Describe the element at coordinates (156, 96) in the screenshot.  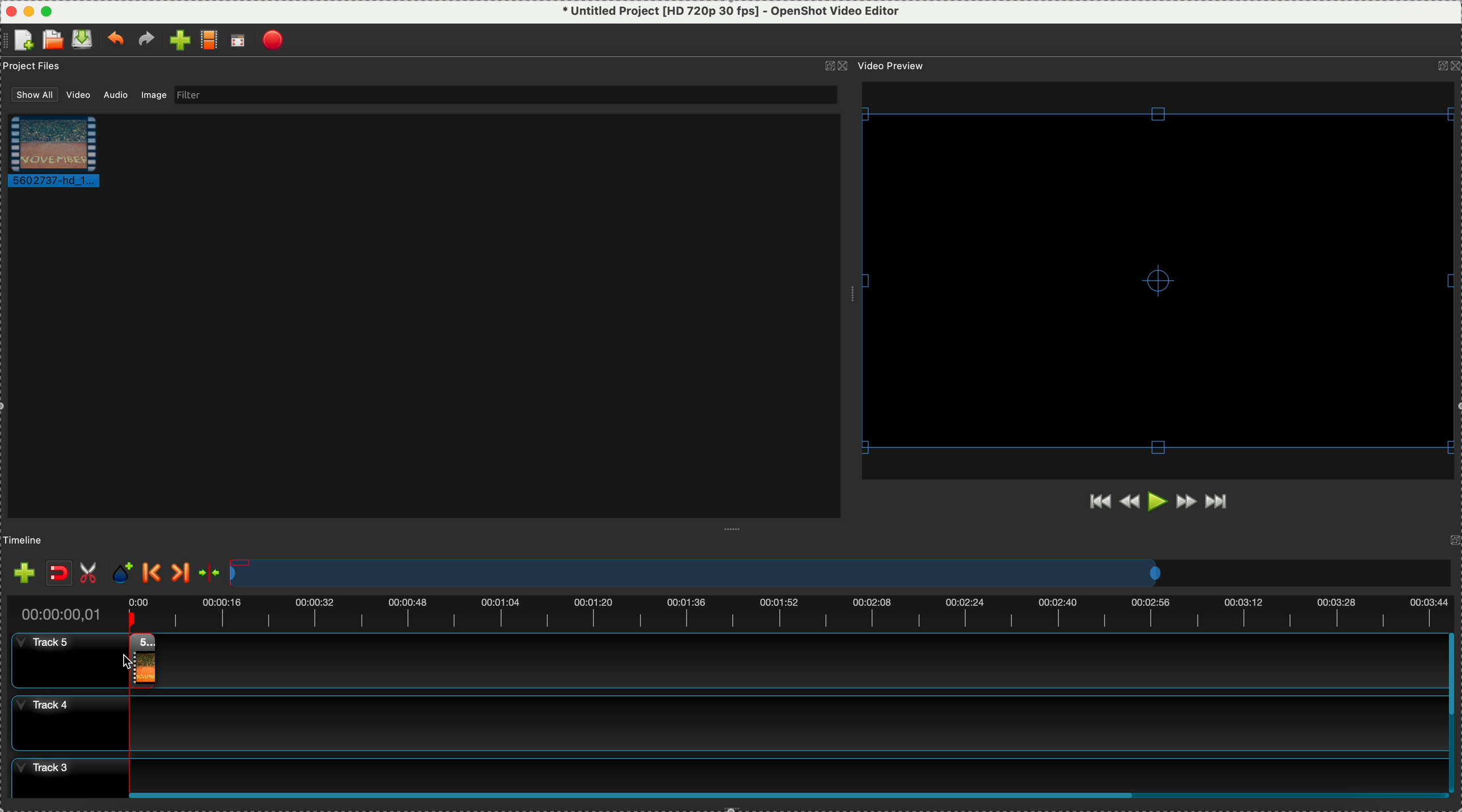
I see `image` at that location.